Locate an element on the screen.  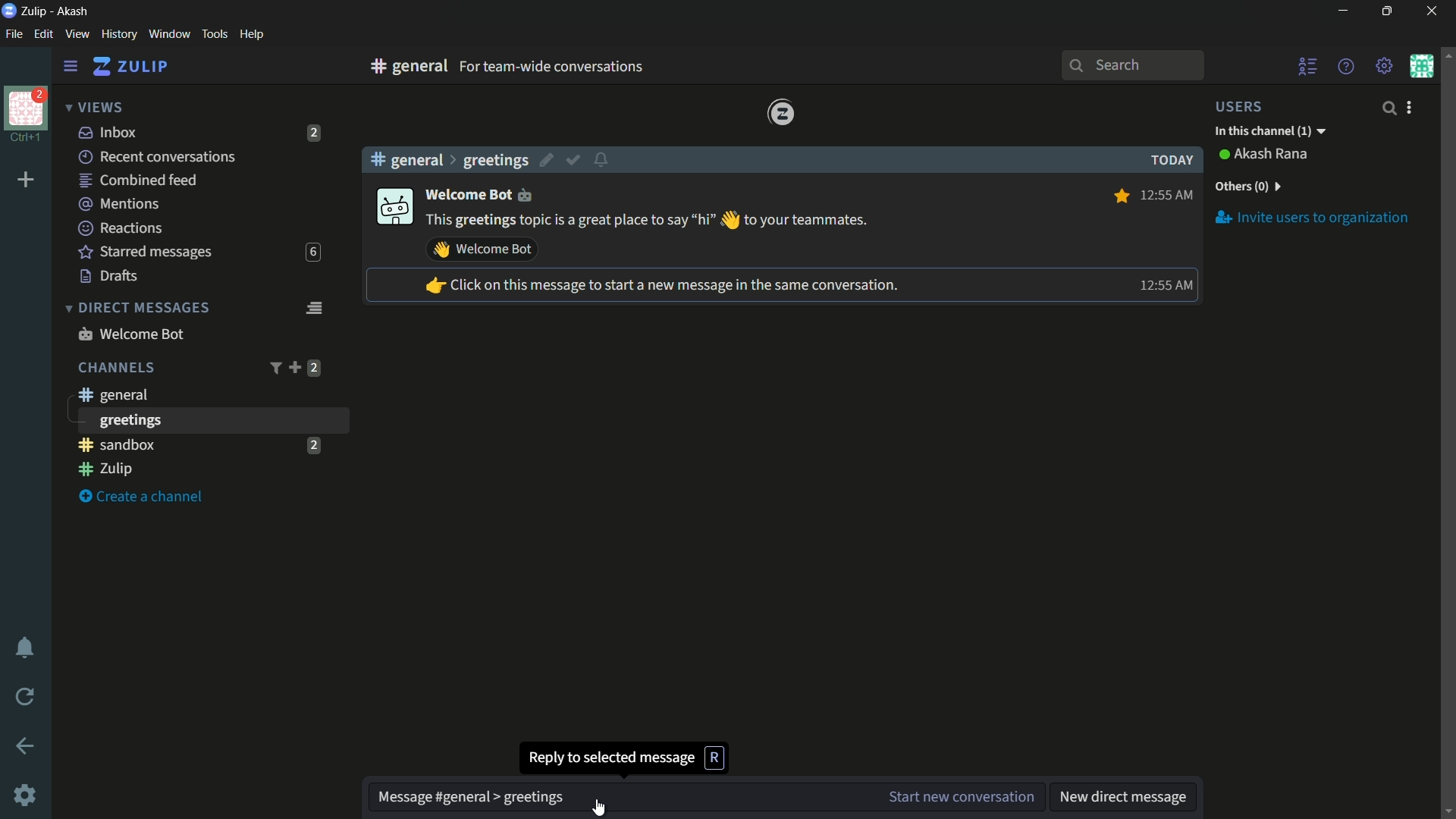
cursor is located at coordinates (598, 807).